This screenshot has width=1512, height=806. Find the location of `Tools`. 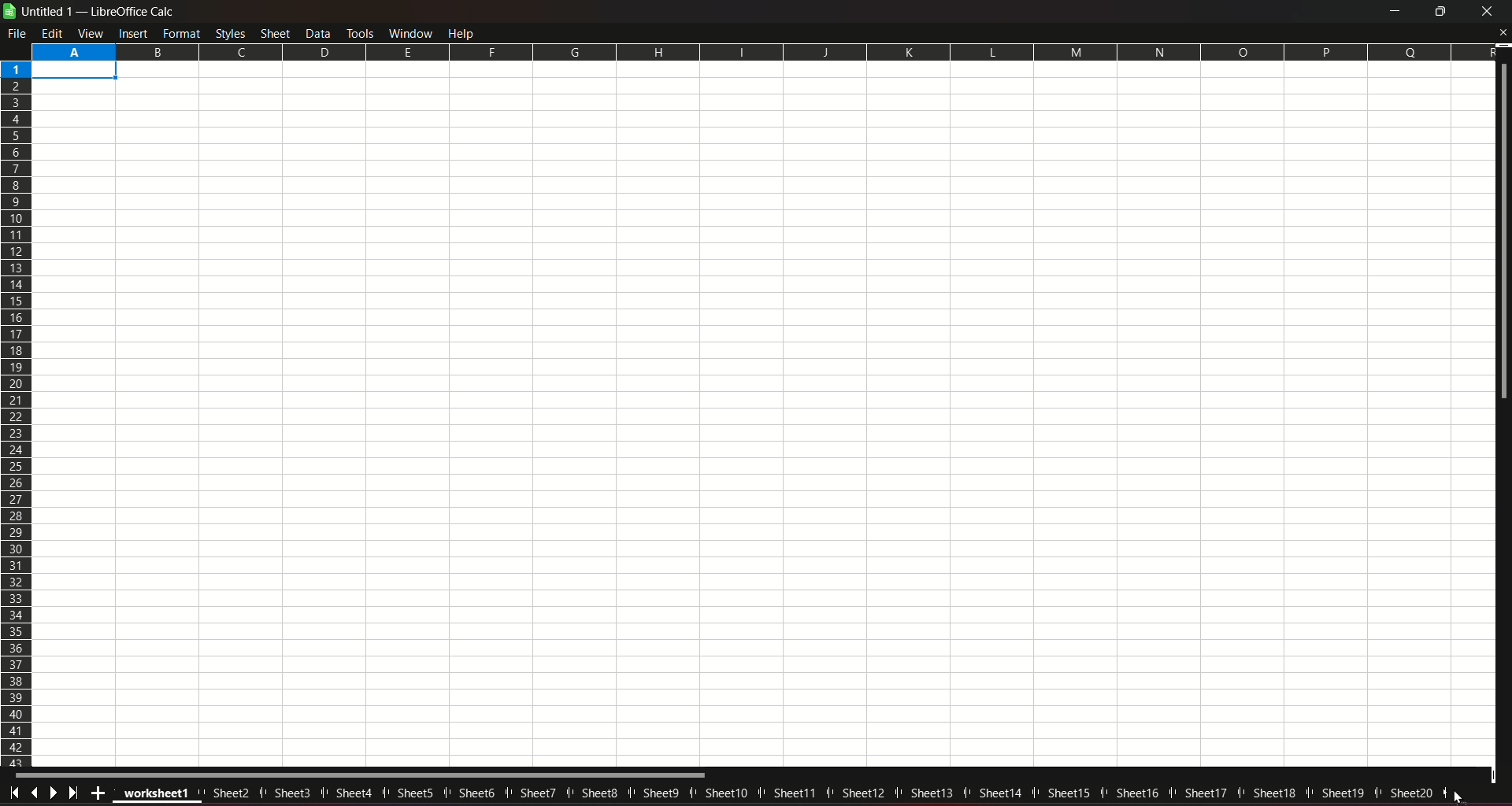

Tools is located at coordinates (359, 31).